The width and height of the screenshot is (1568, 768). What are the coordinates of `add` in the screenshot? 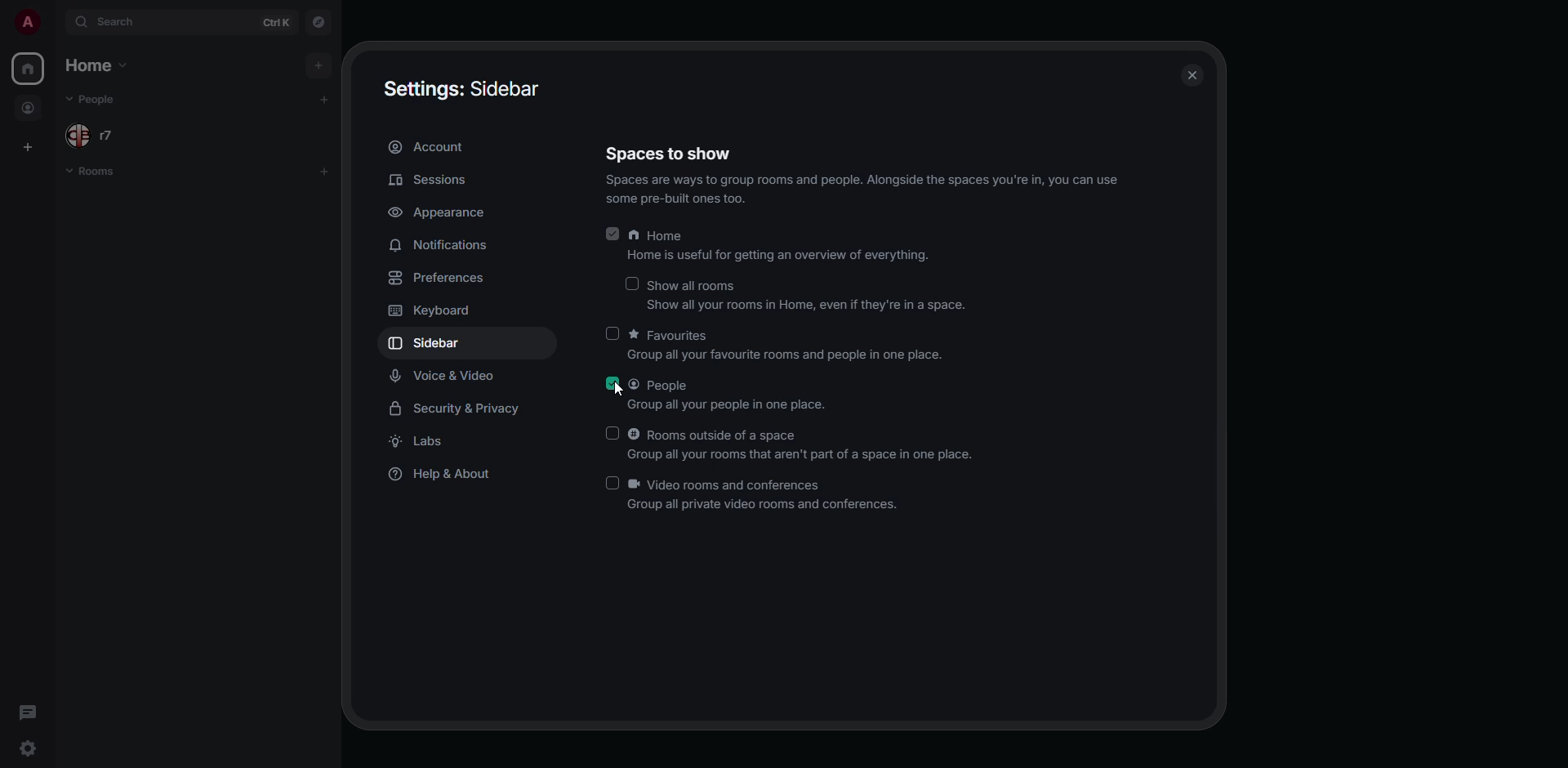 It's located at (327, 96).